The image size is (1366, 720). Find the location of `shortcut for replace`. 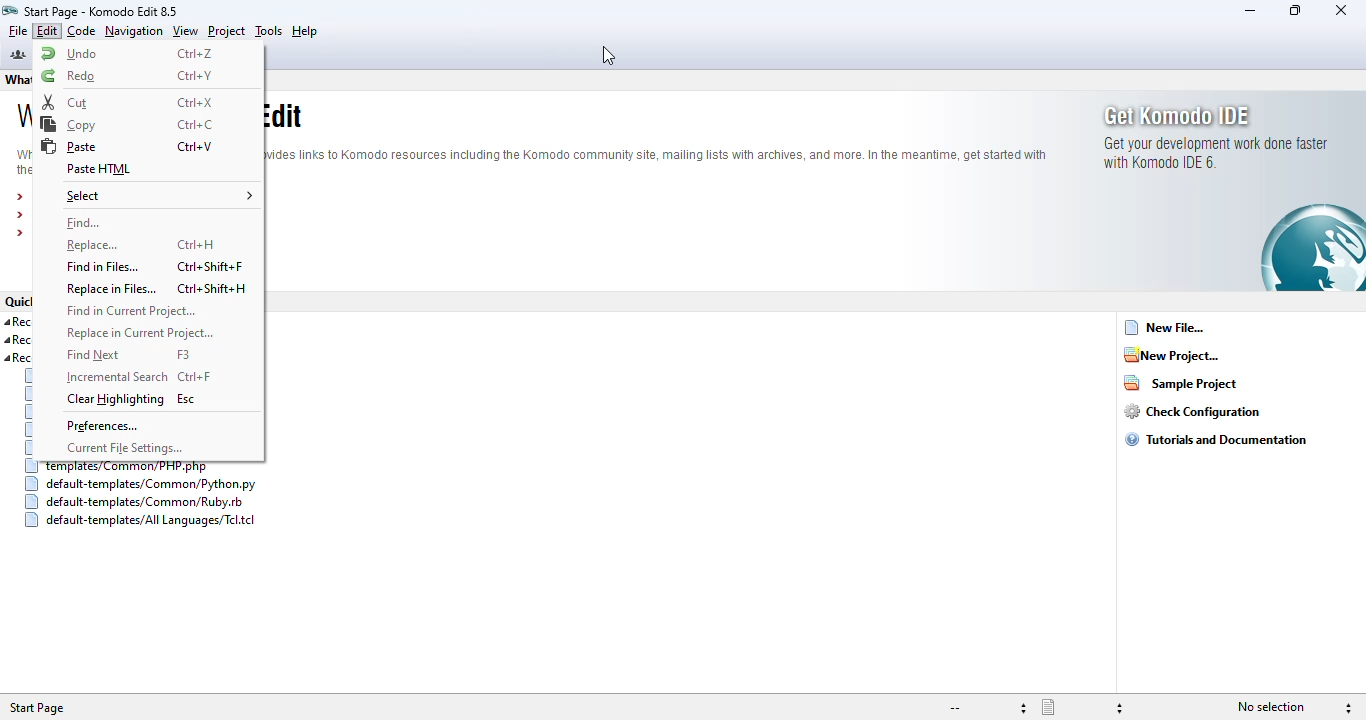

shortcut for replace is located at coordinates (198, 245).